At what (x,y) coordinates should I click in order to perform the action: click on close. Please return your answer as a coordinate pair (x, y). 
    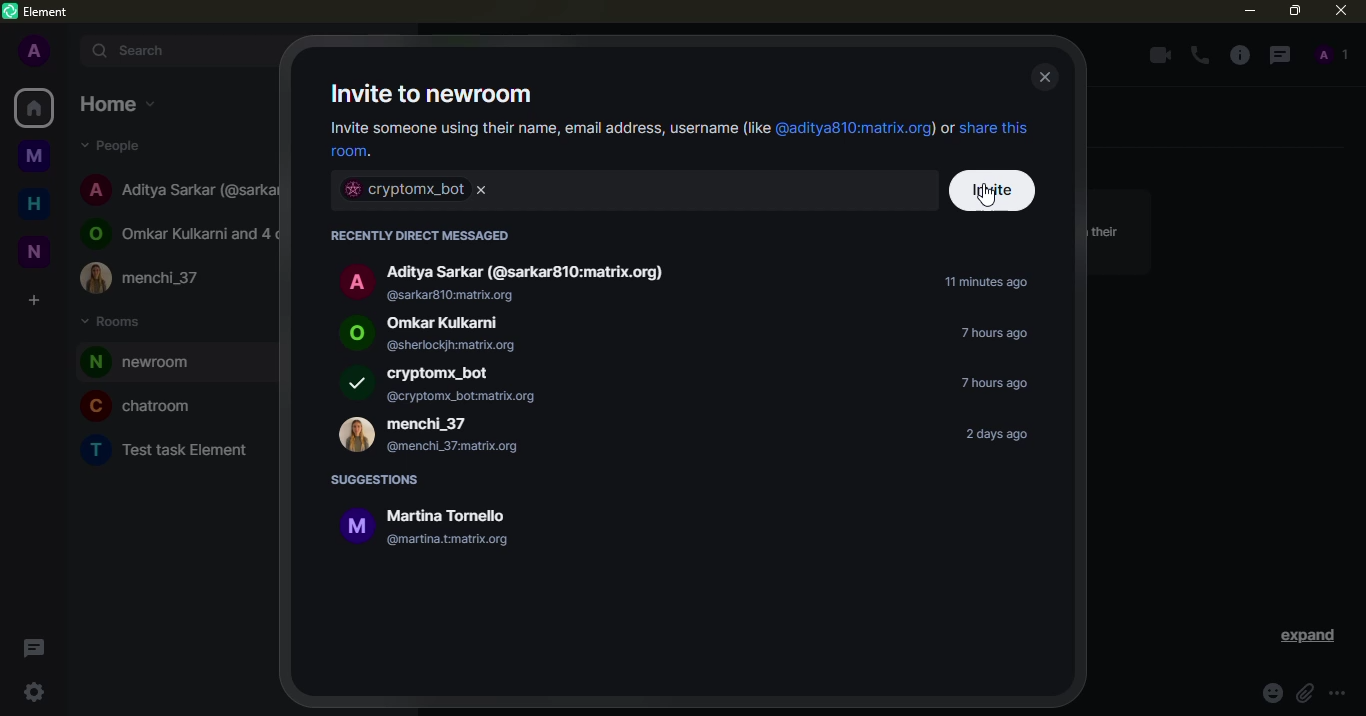
    Looking at the image, I should click on (1341, 13).